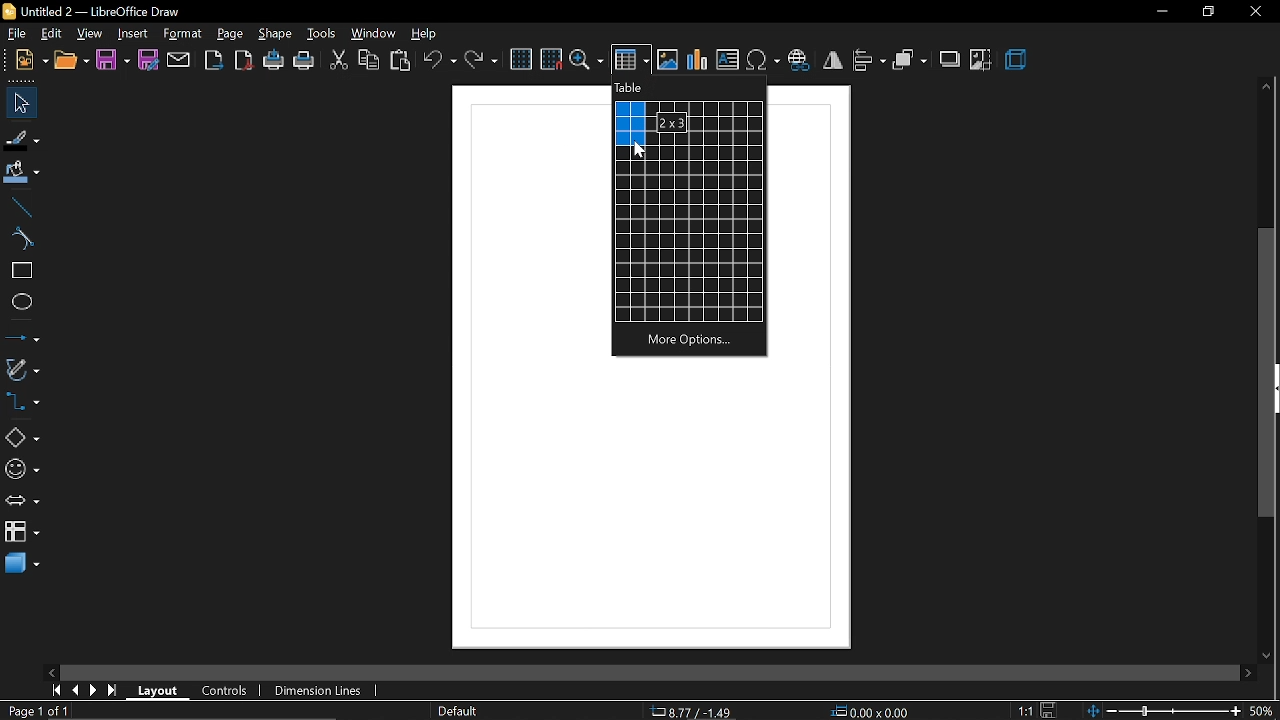 This screenshot has height=720, width=1280. Describe the element at coordinates (53, 671) in the screenshot. I see `move left` at that location.